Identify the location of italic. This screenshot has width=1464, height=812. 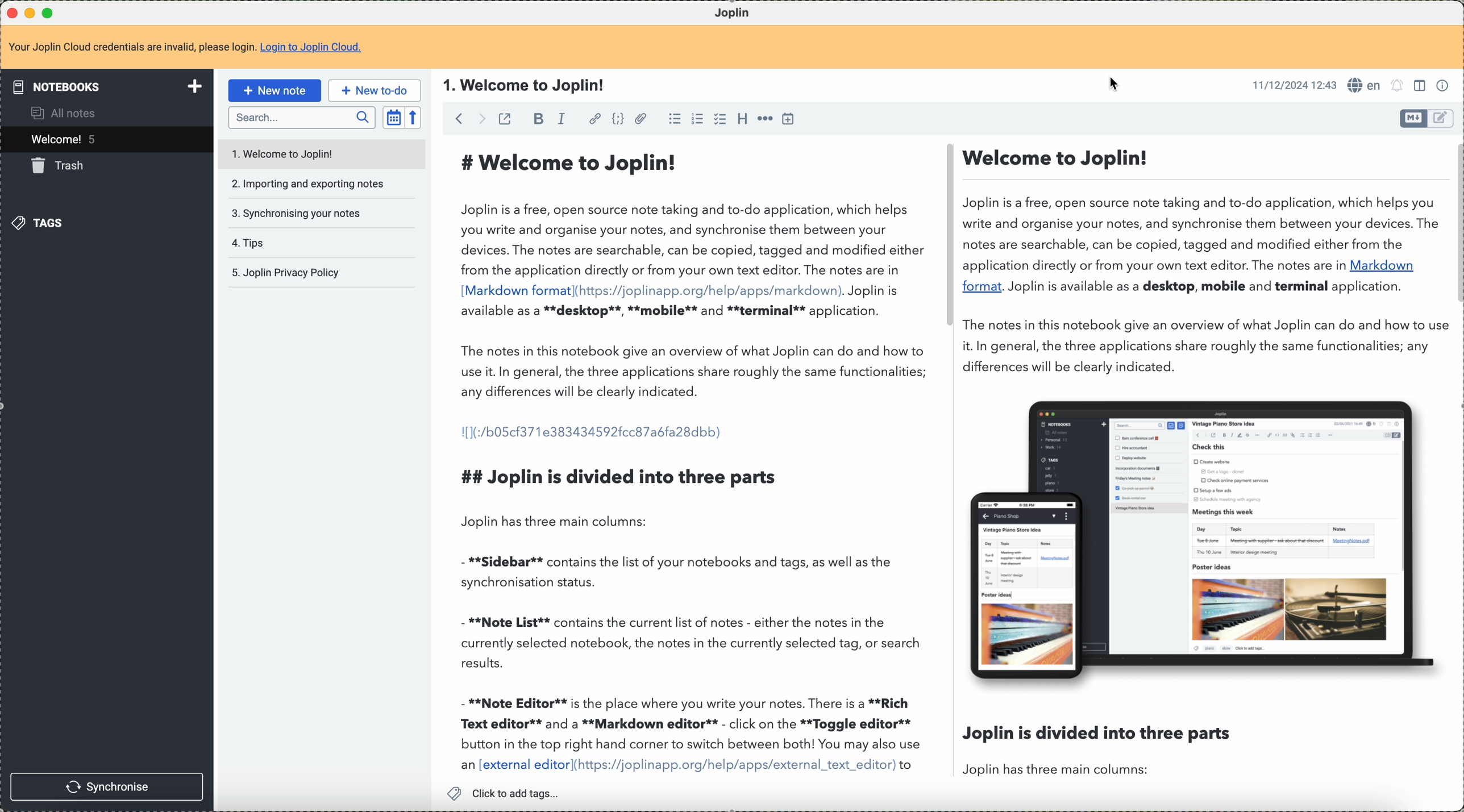
(563, 119).